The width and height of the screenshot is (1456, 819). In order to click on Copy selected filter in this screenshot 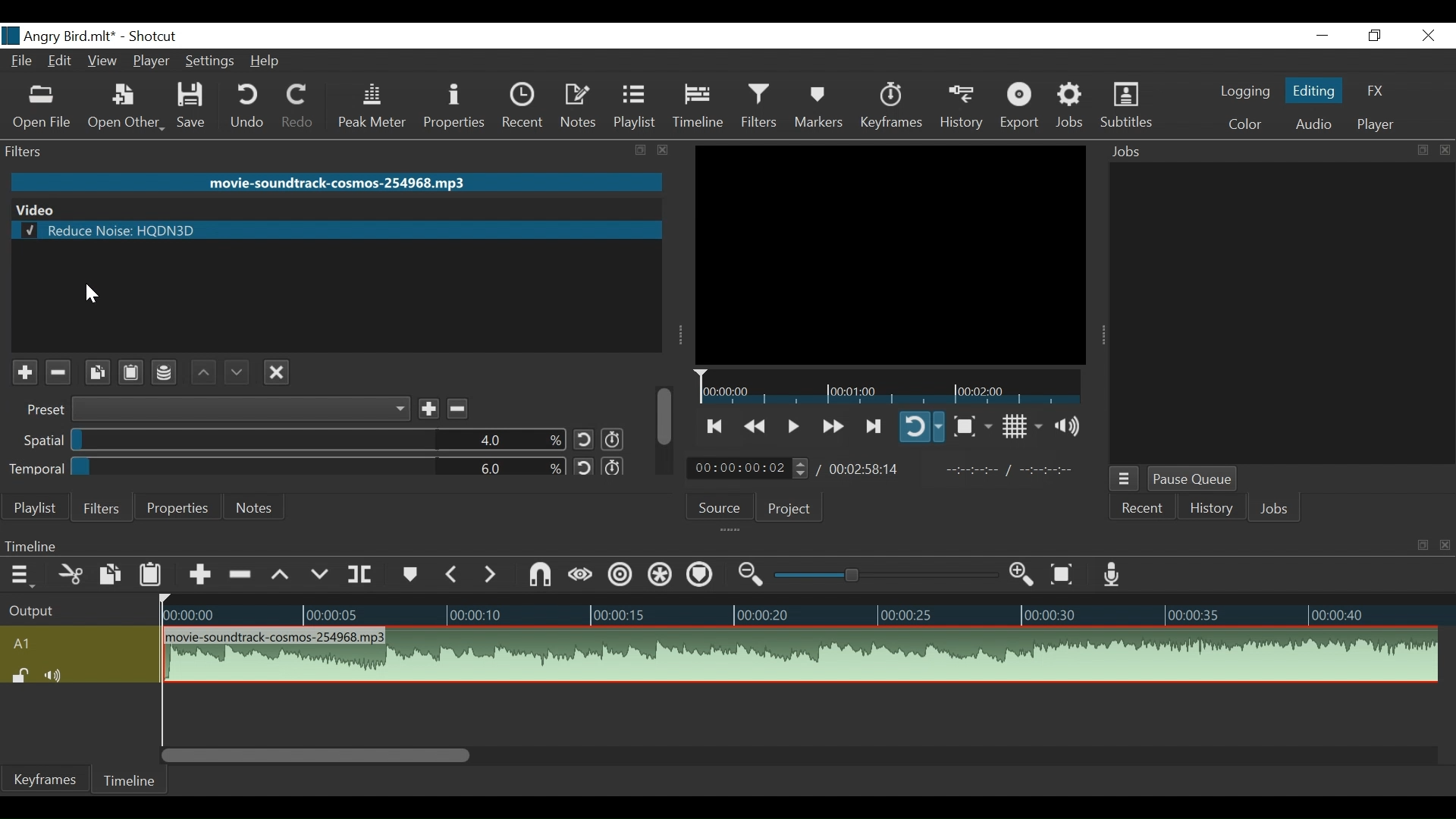, I will do `click(97, 372)`.